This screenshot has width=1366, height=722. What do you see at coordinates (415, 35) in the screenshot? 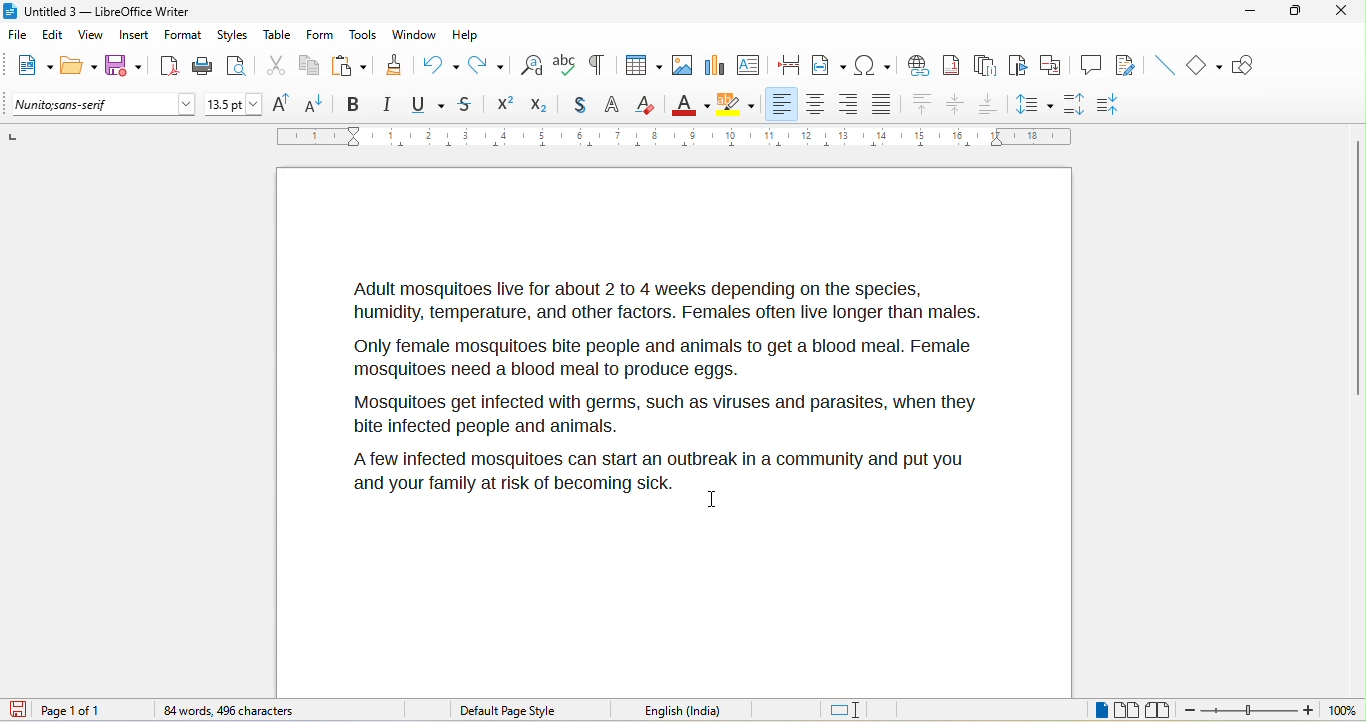
I see `window` at bounding box center [415, 35].